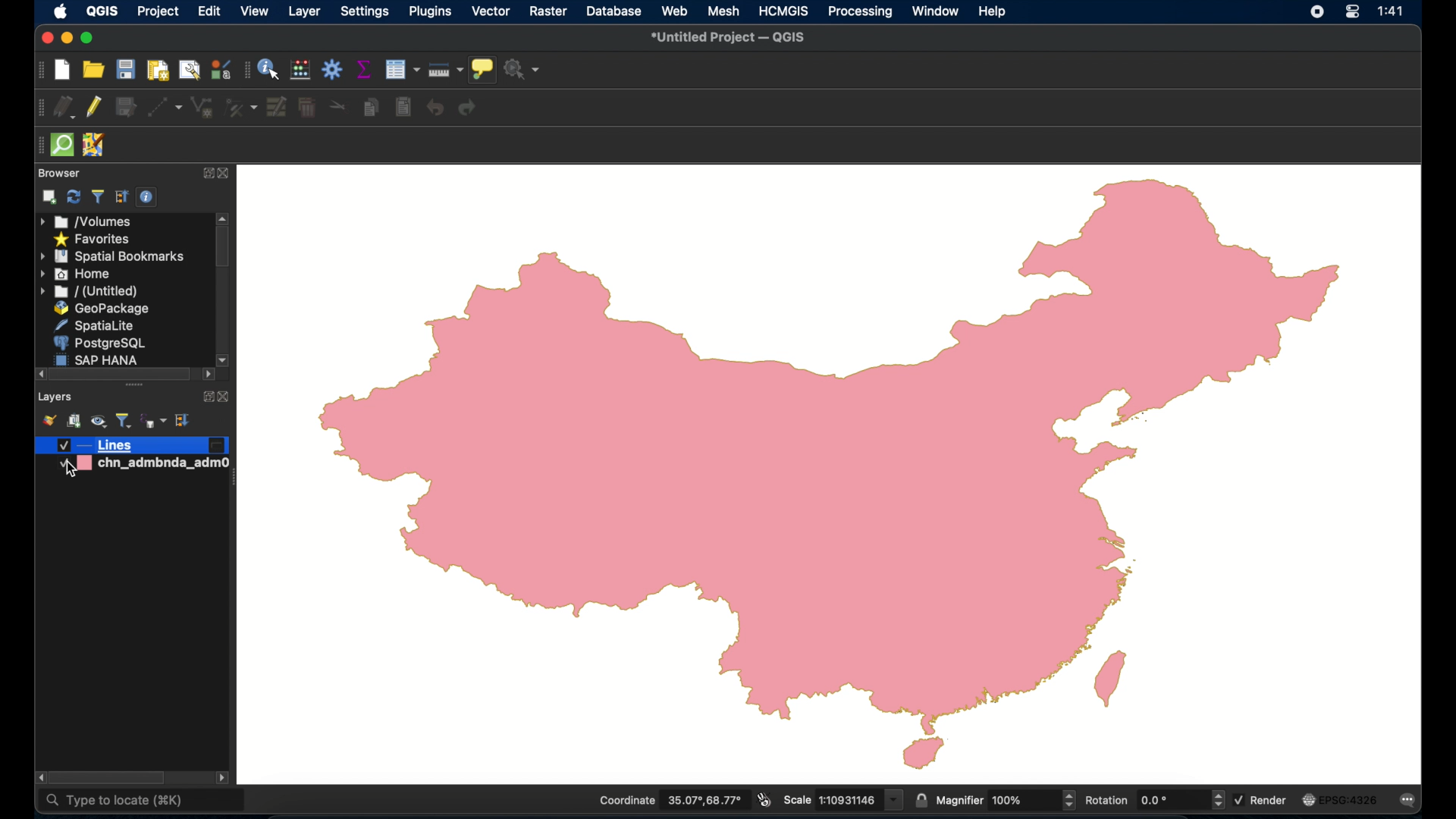 The width and height of the screenshot is (1456, 819). I want to click on scroll up arrow, so click(223, 218).